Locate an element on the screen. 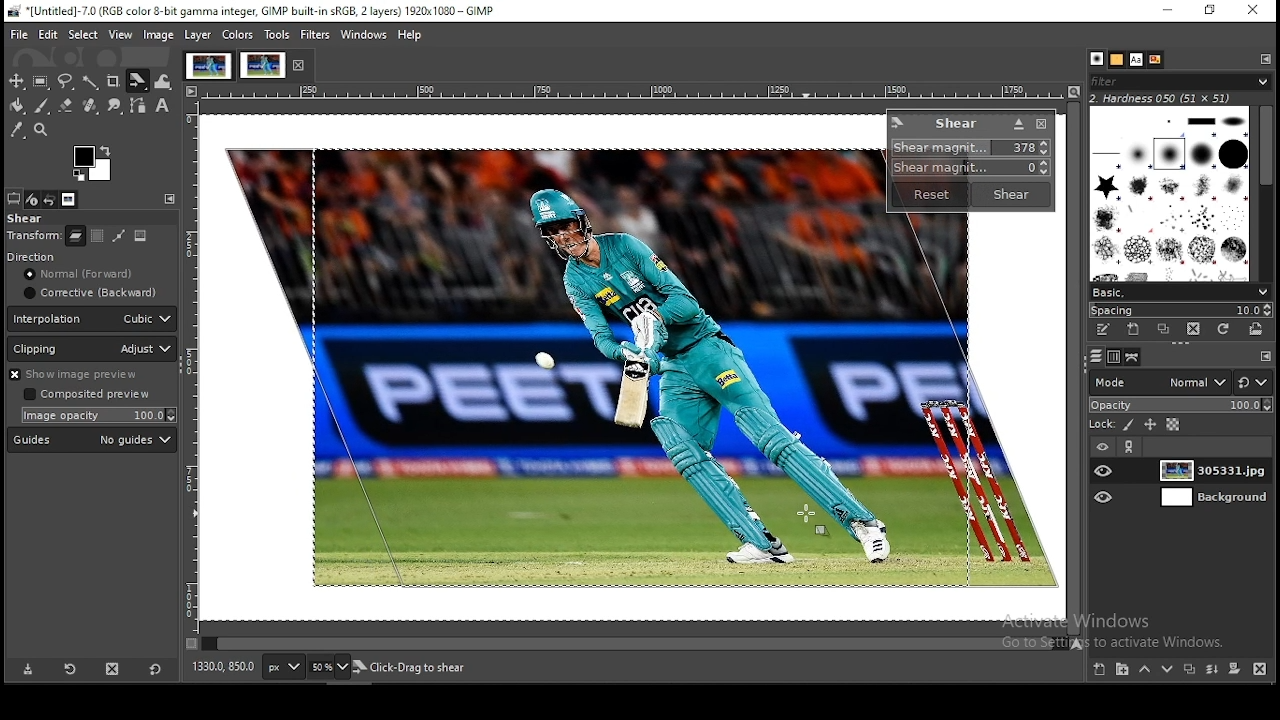 The image size is (1280, 720). move layer one step up is located at coordinates (1143, 669).